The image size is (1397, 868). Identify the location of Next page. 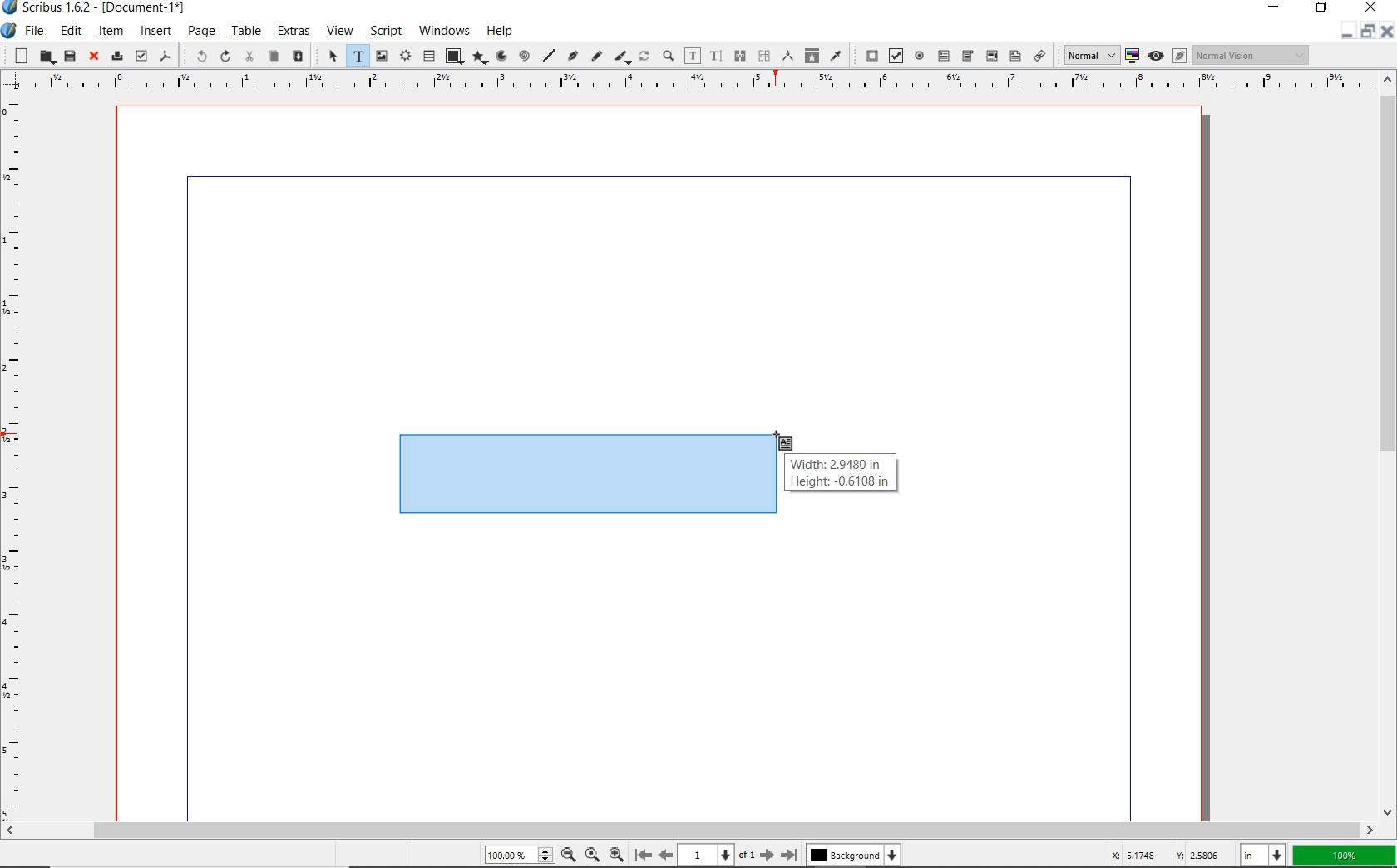
(766, 855).